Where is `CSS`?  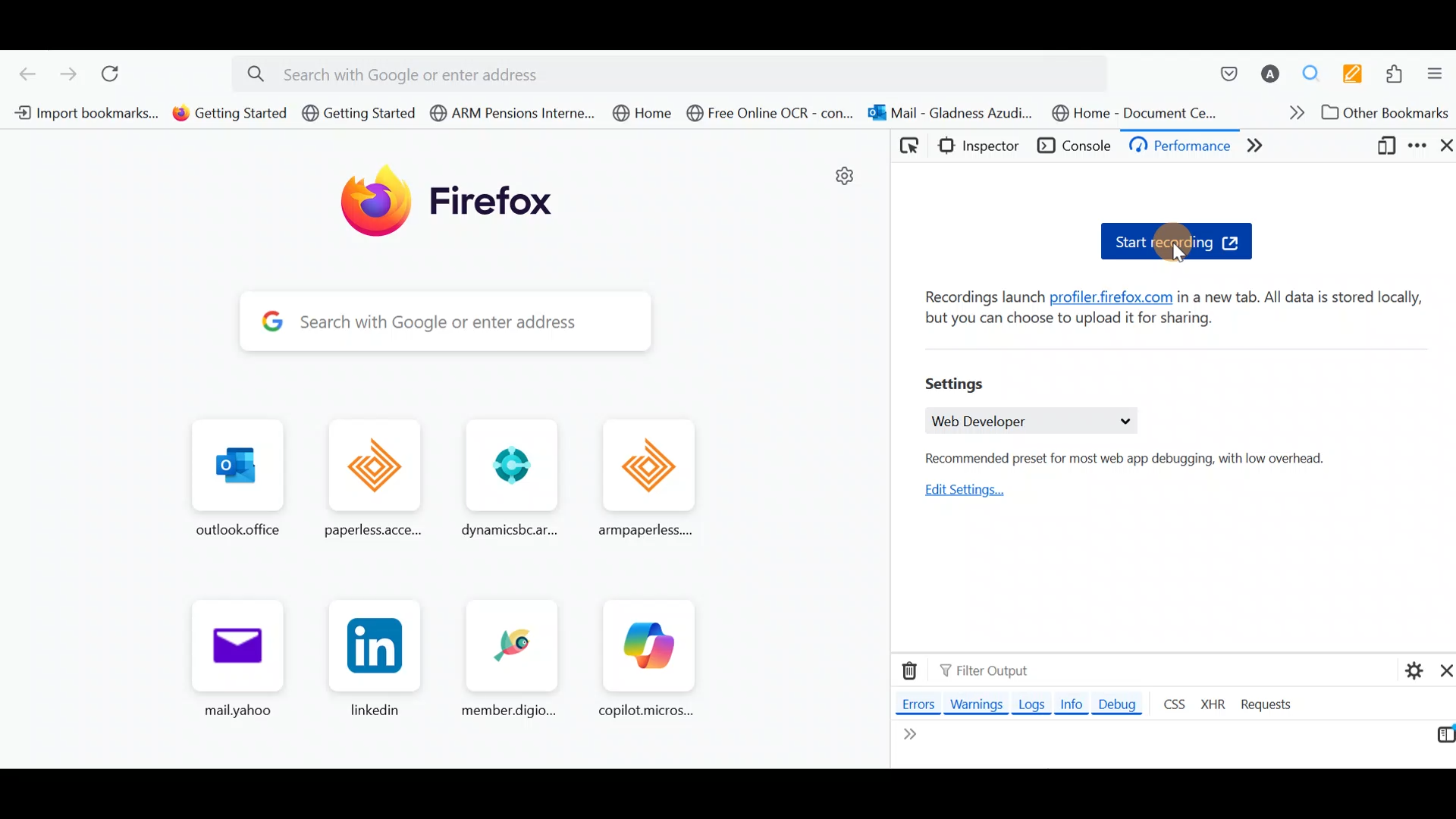 CSS is located at coordinates (1172, 703).